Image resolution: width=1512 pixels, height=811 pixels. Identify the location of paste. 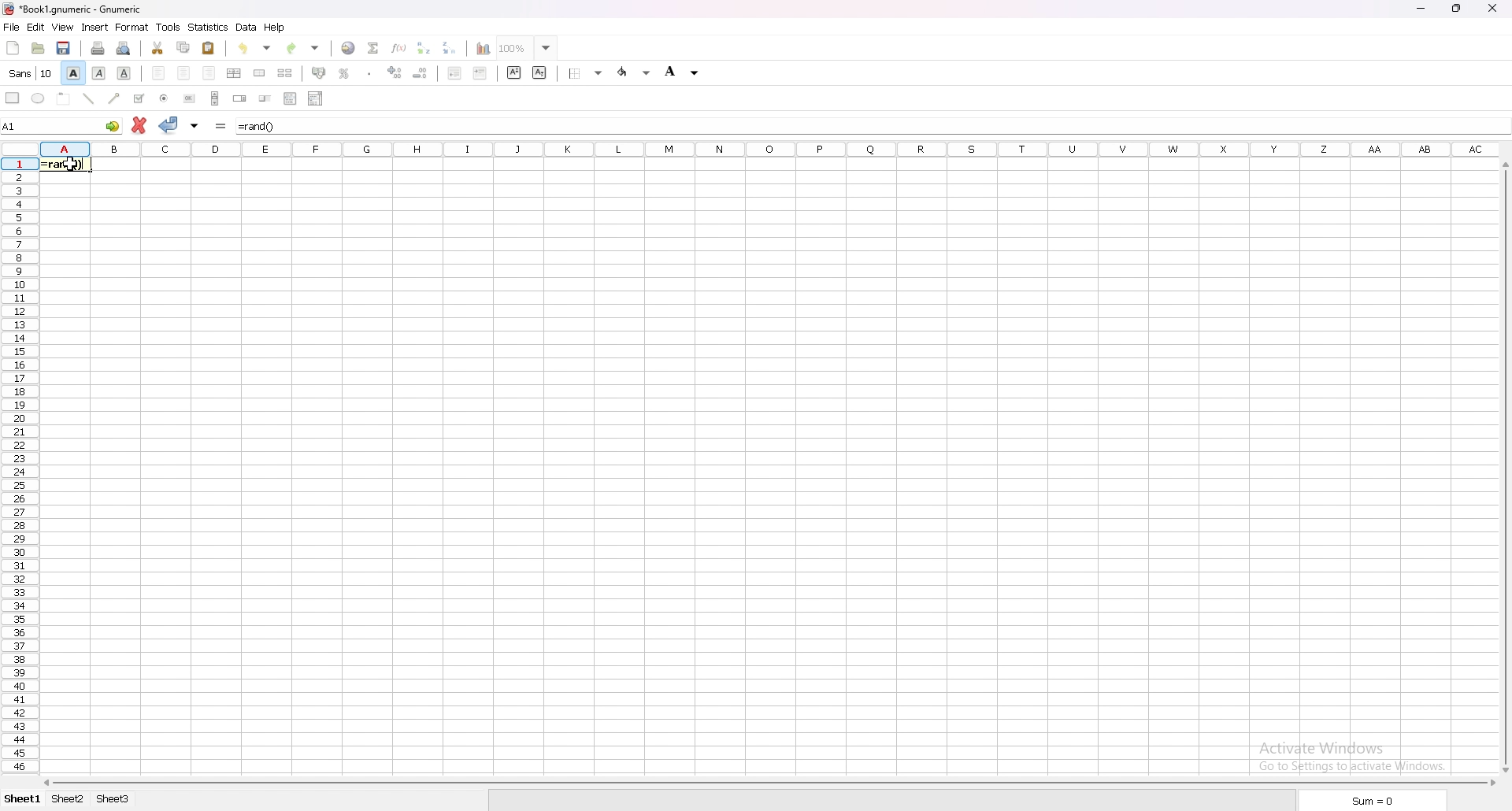
(209, 47).